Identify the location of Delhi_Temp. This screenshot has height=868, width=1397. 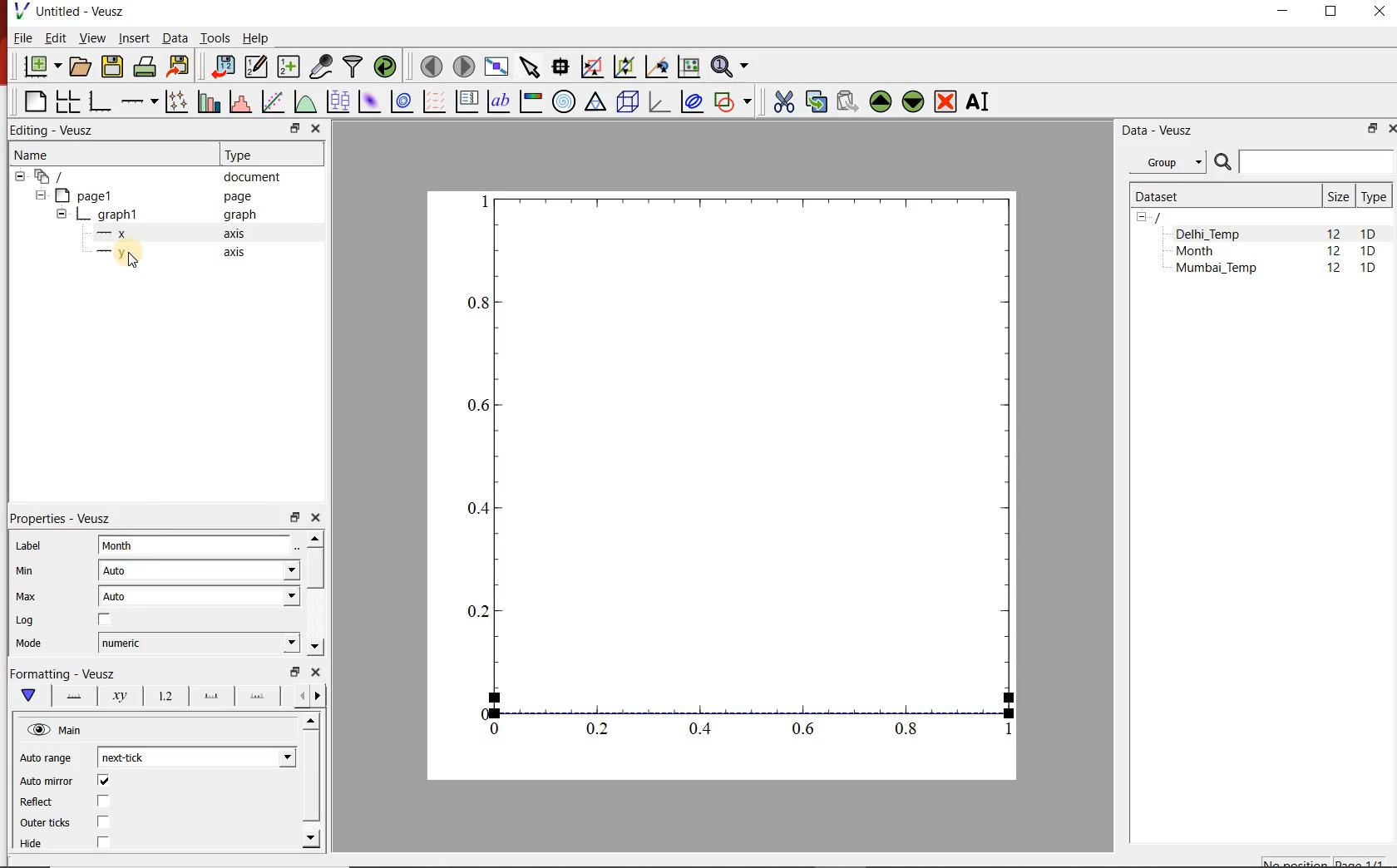
(1211, 234).